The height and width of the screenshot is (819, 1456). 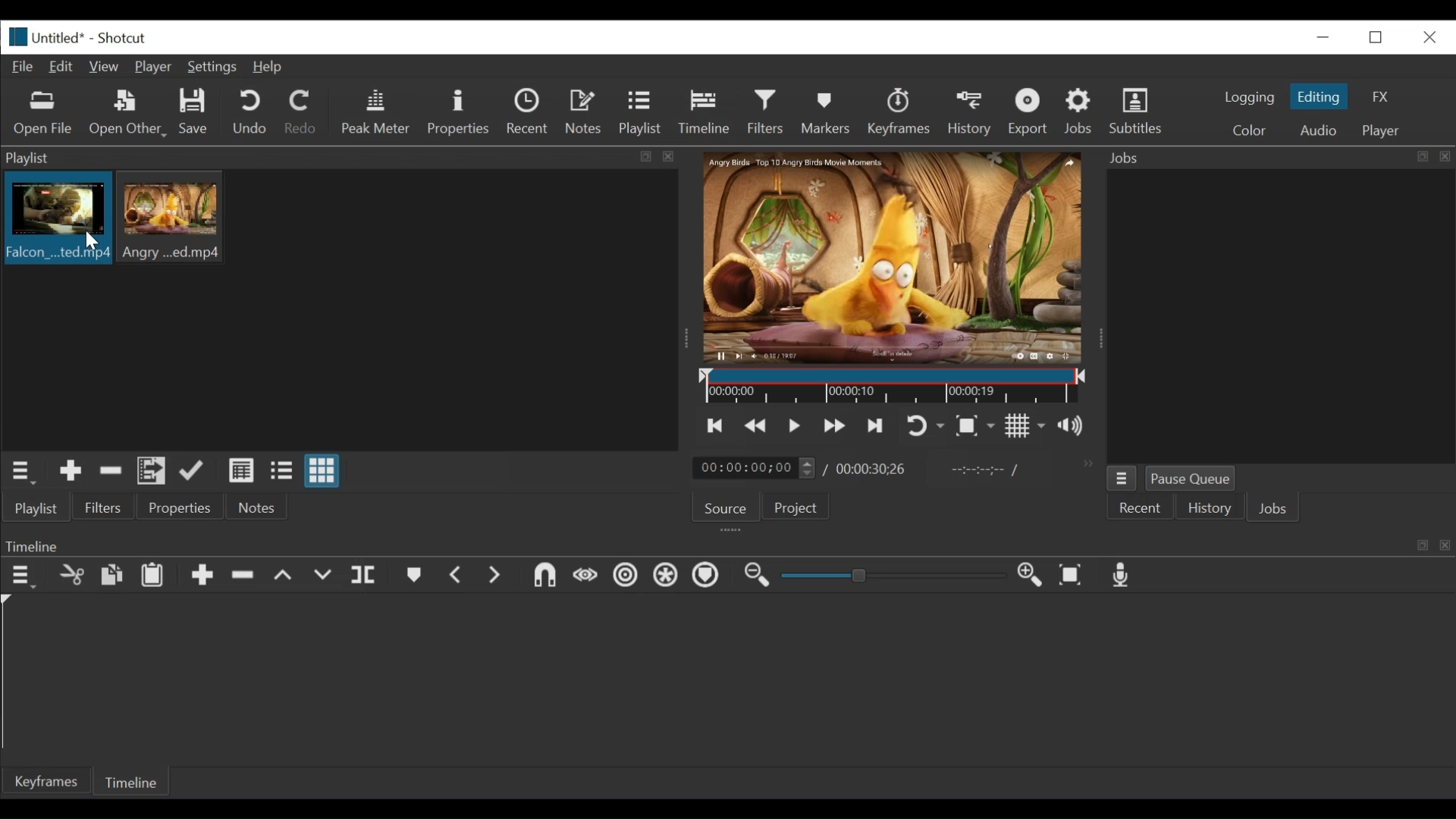 I want to click on lift, so click(x=285, y=577).